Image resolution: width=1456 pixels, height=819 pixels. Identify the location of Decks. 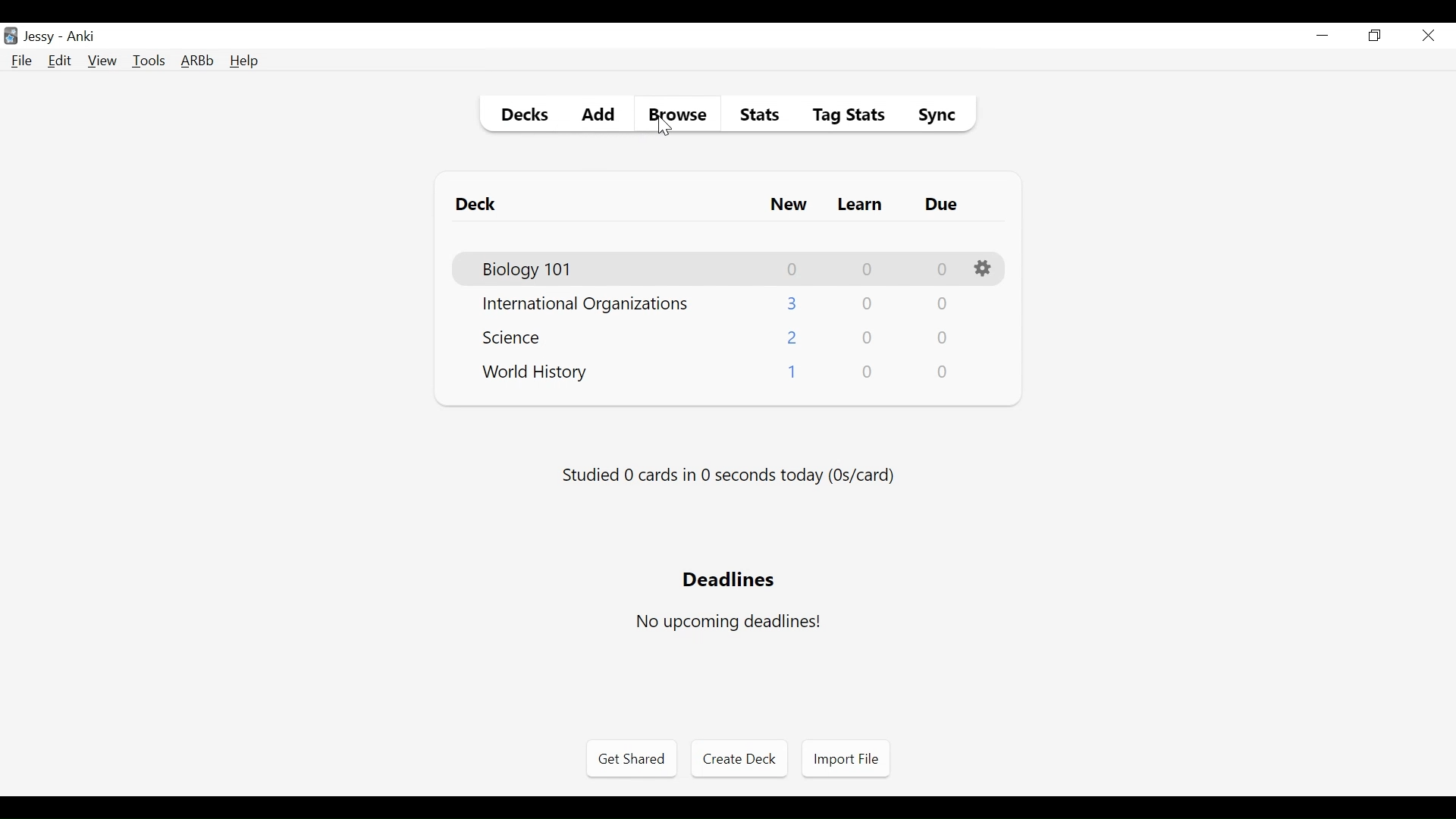
(521, 117).